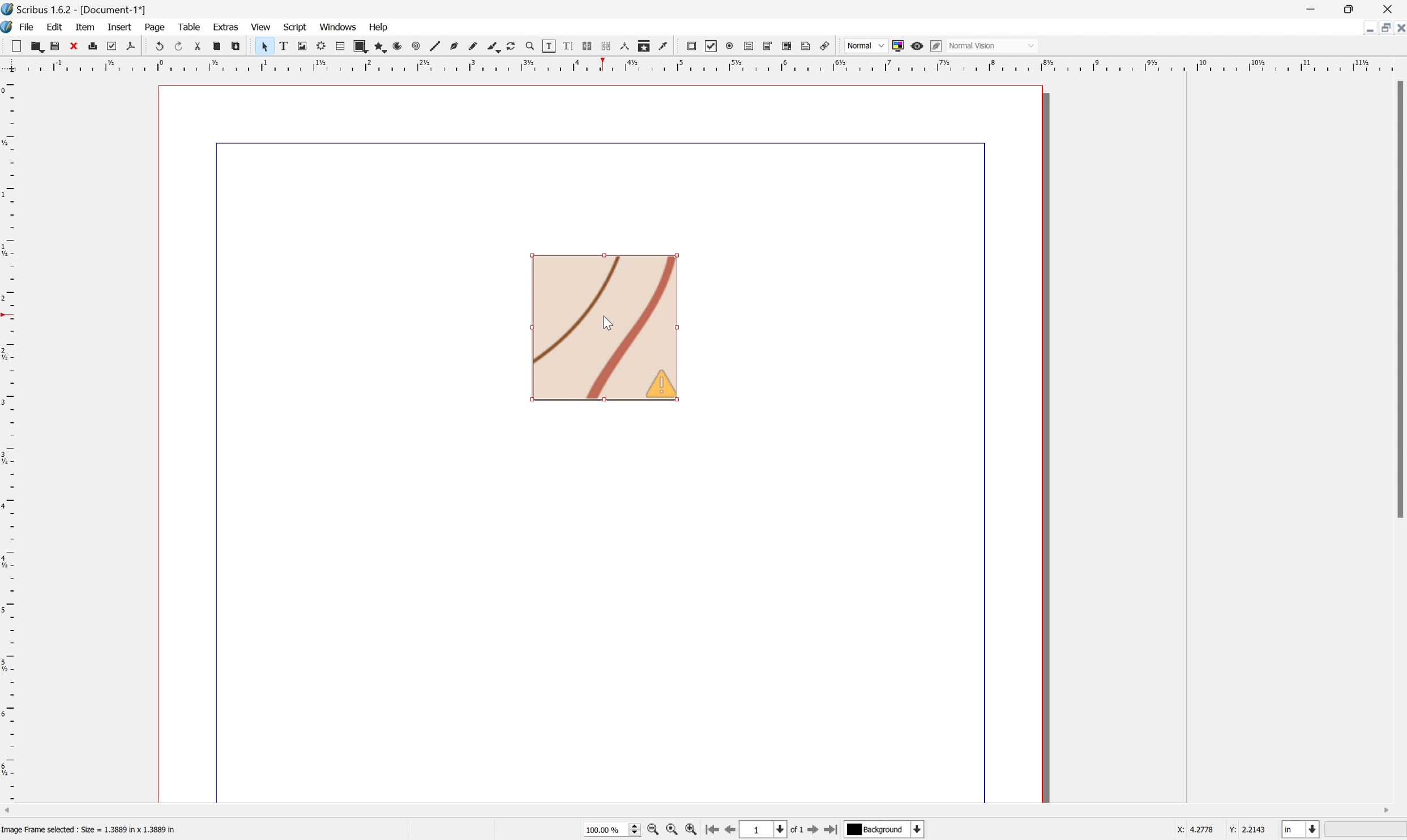 This screenshot has height=840, width=1407. Describe the element at coordinates (362, 45) in the screenshot. I see `Shape` at that location.